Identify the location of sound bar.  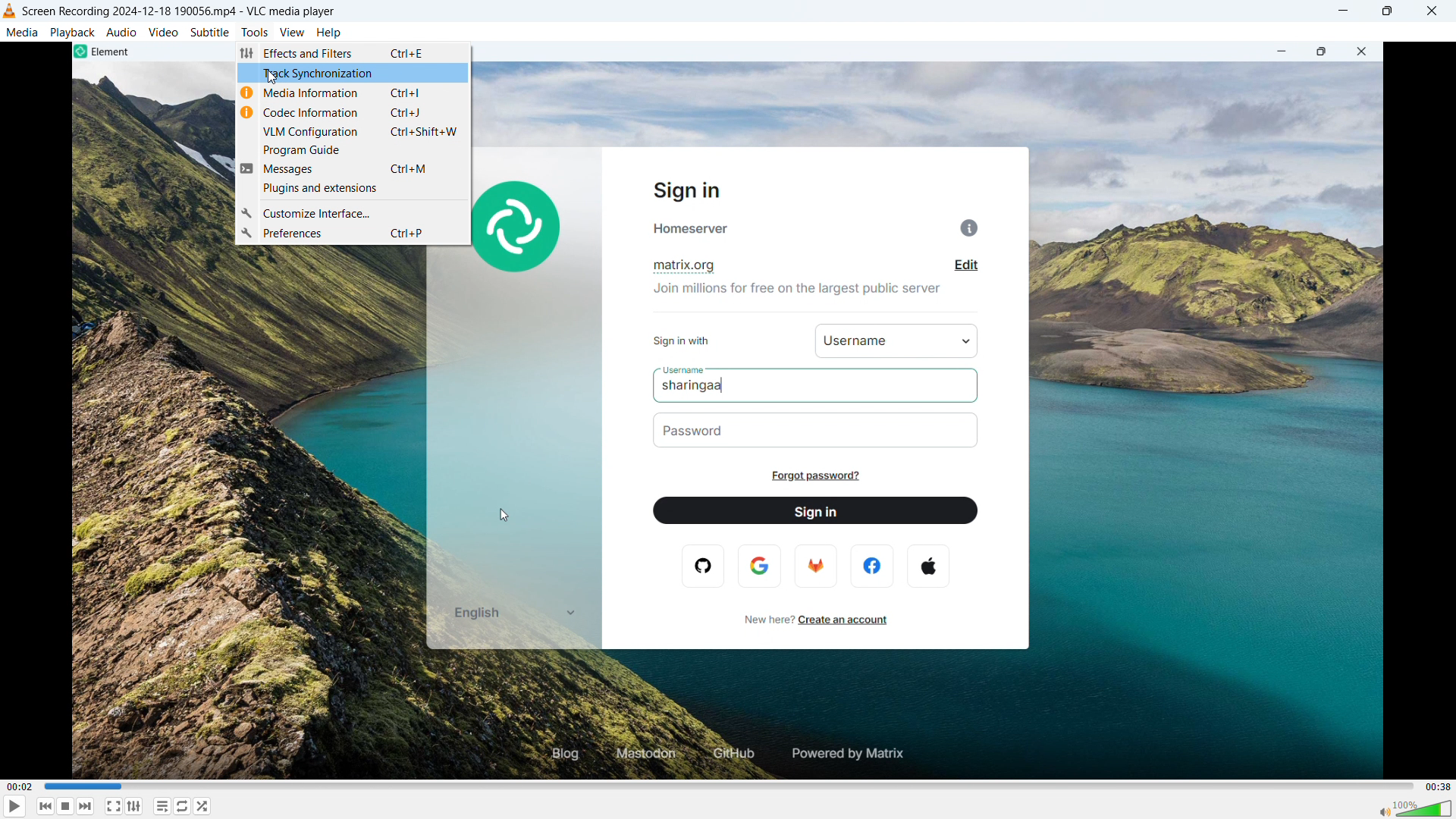
(1409, 807).